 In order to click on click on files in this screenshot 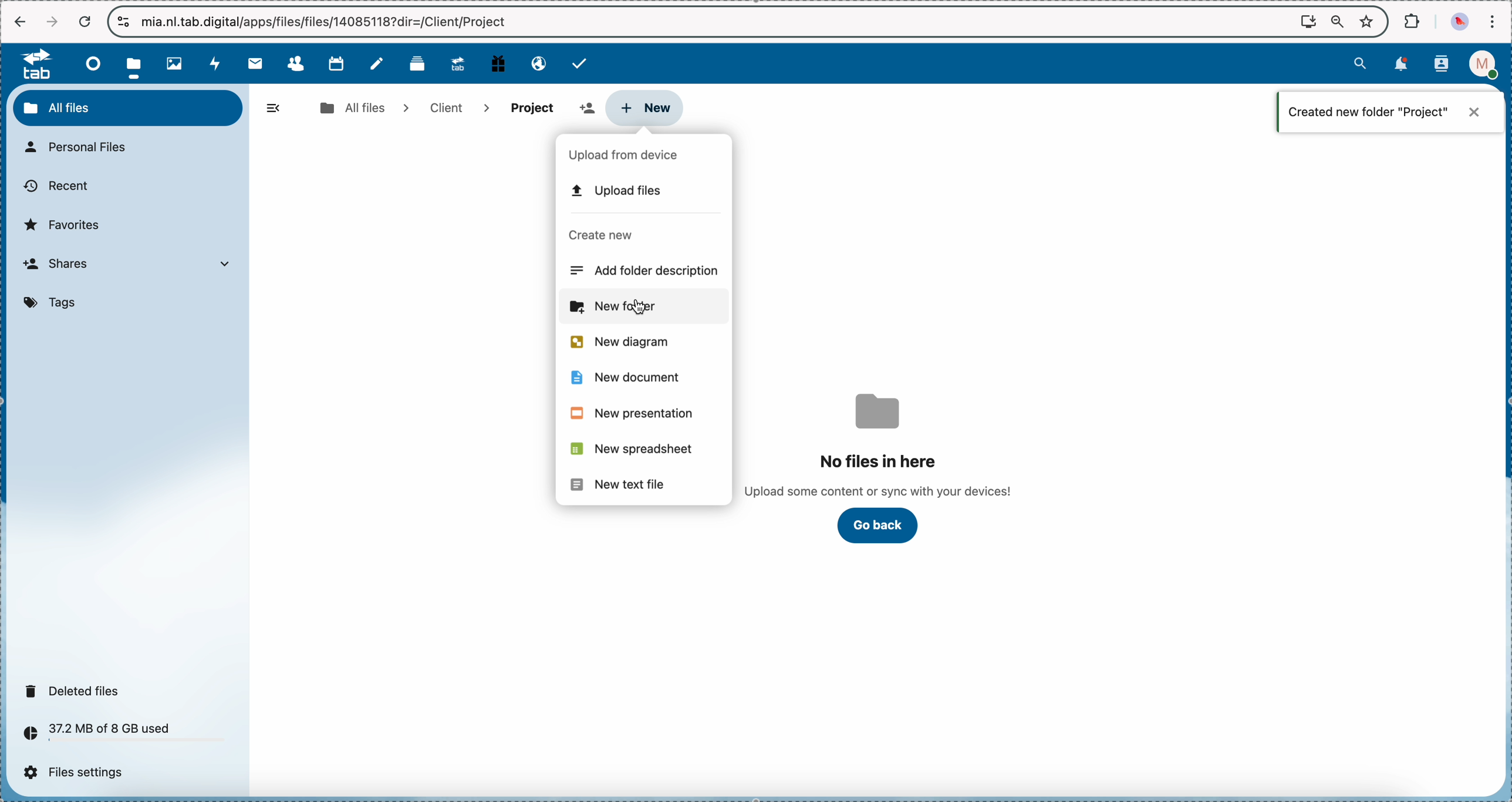, I will do `click(137, 63)`.